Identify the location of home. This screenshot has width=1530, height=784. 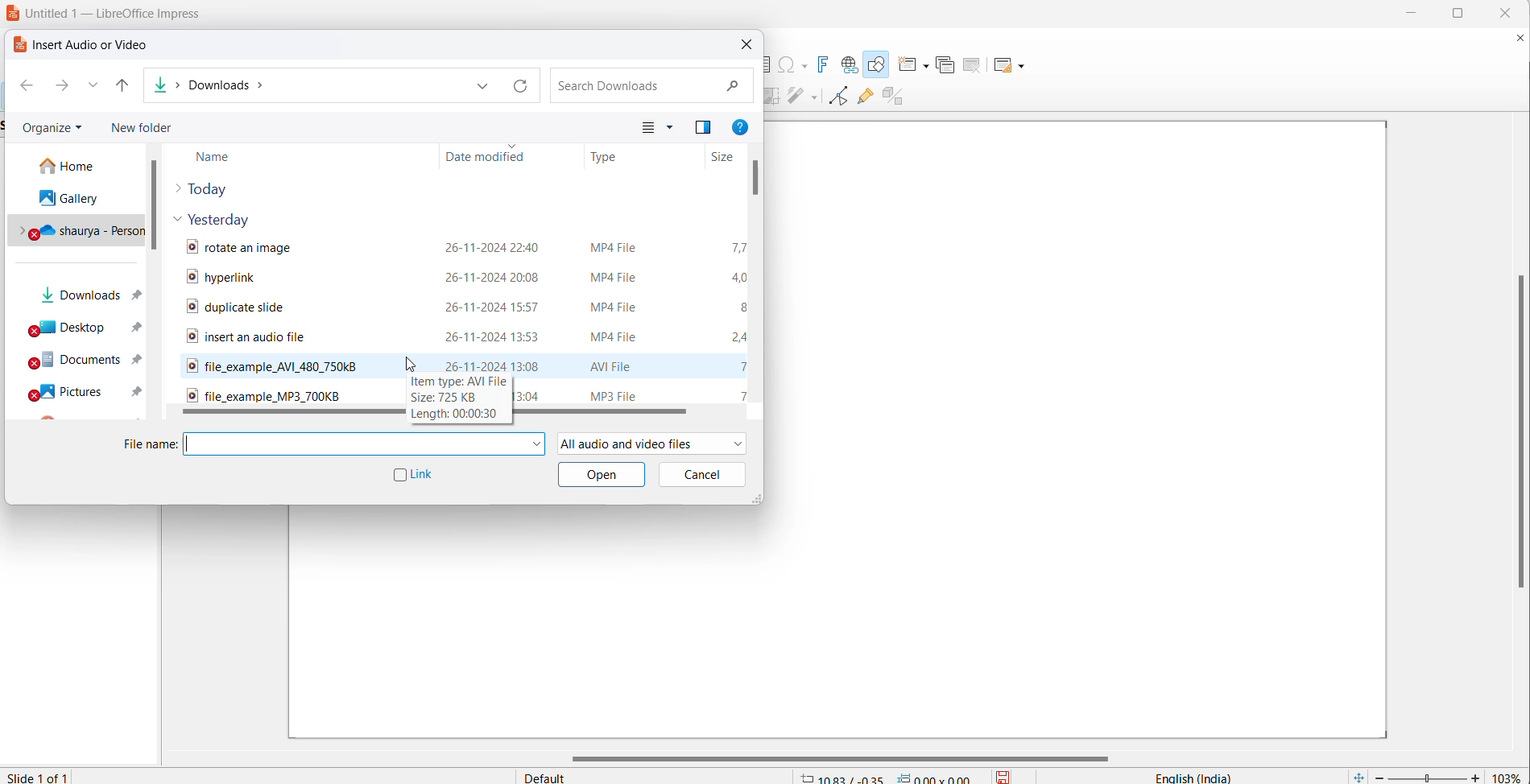
(77, 165).